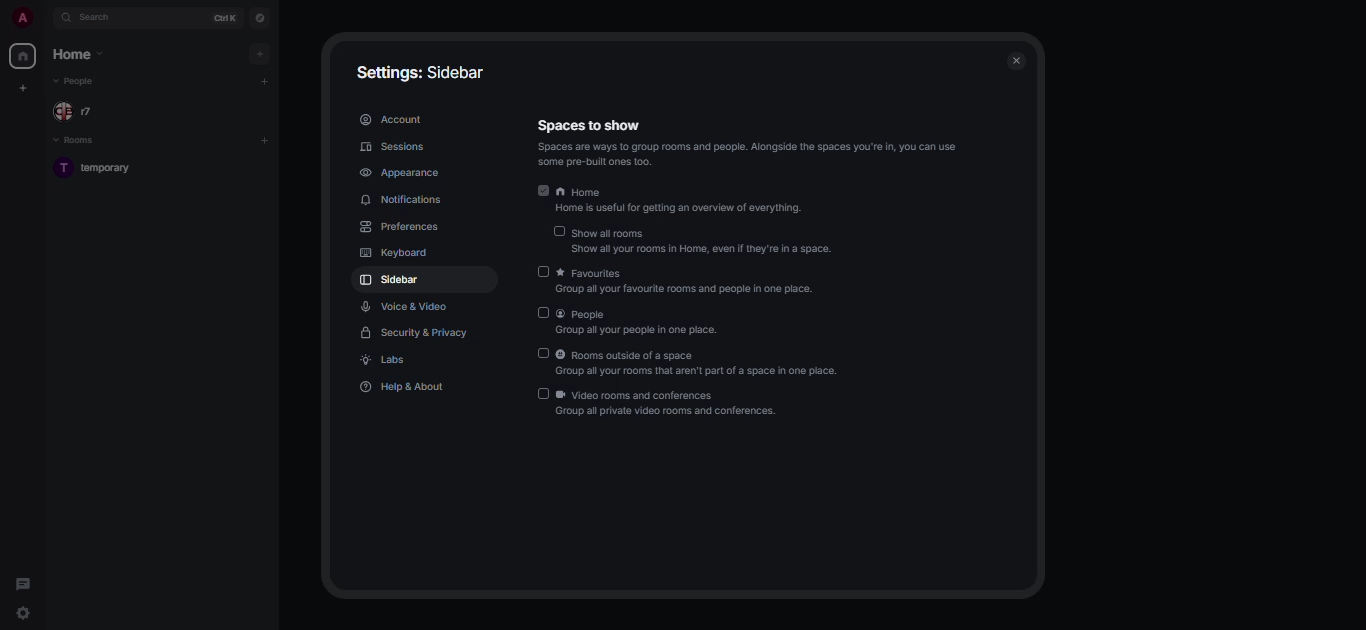  What do you see at coordinates (681, 201) in the screenshot?
I see `home` at bounding box center [681, 201].